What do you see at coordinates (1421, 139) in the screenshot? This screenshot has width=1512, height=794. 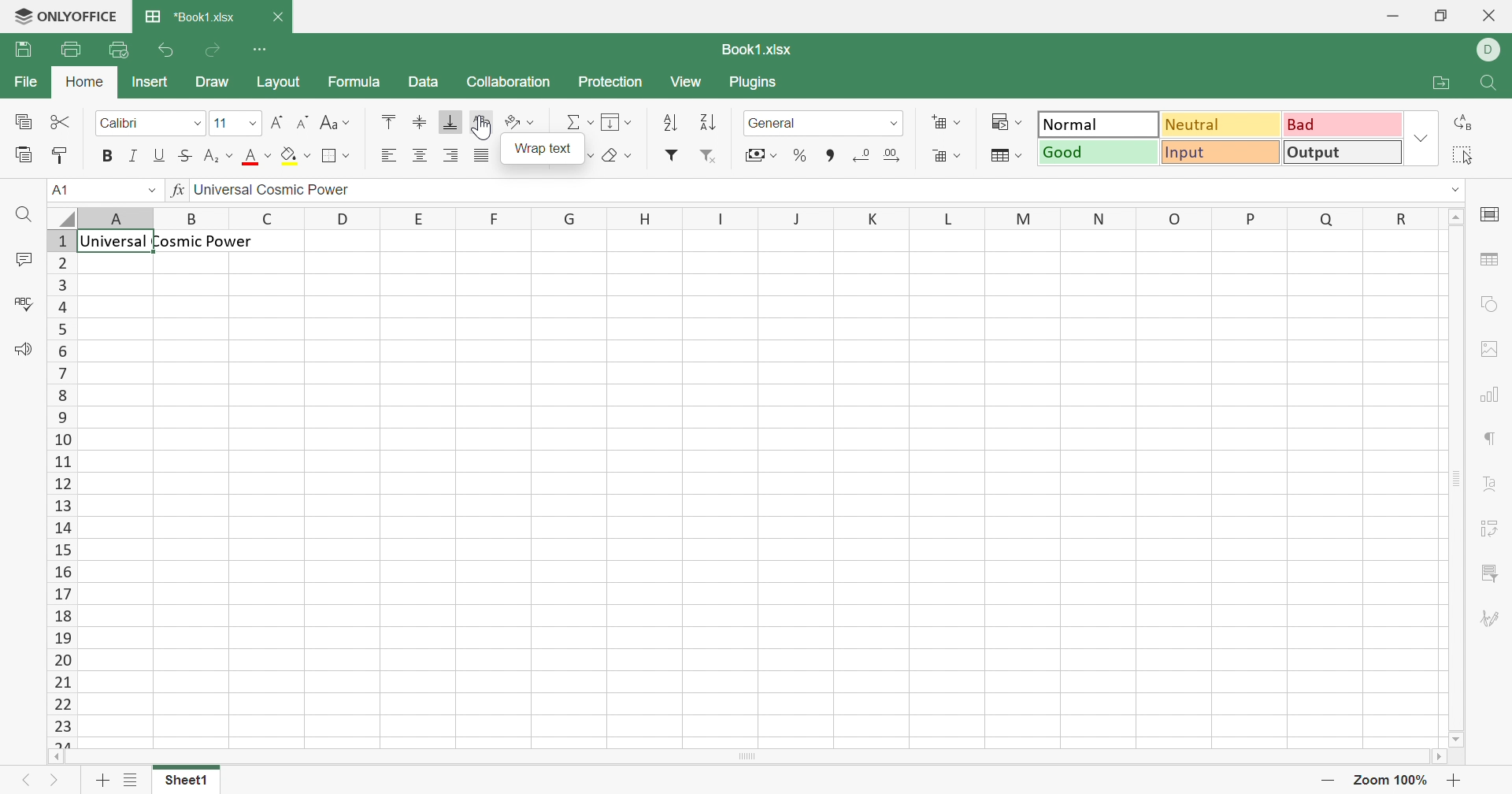 I see `Drop Down` at bounding box center [1421, 139].